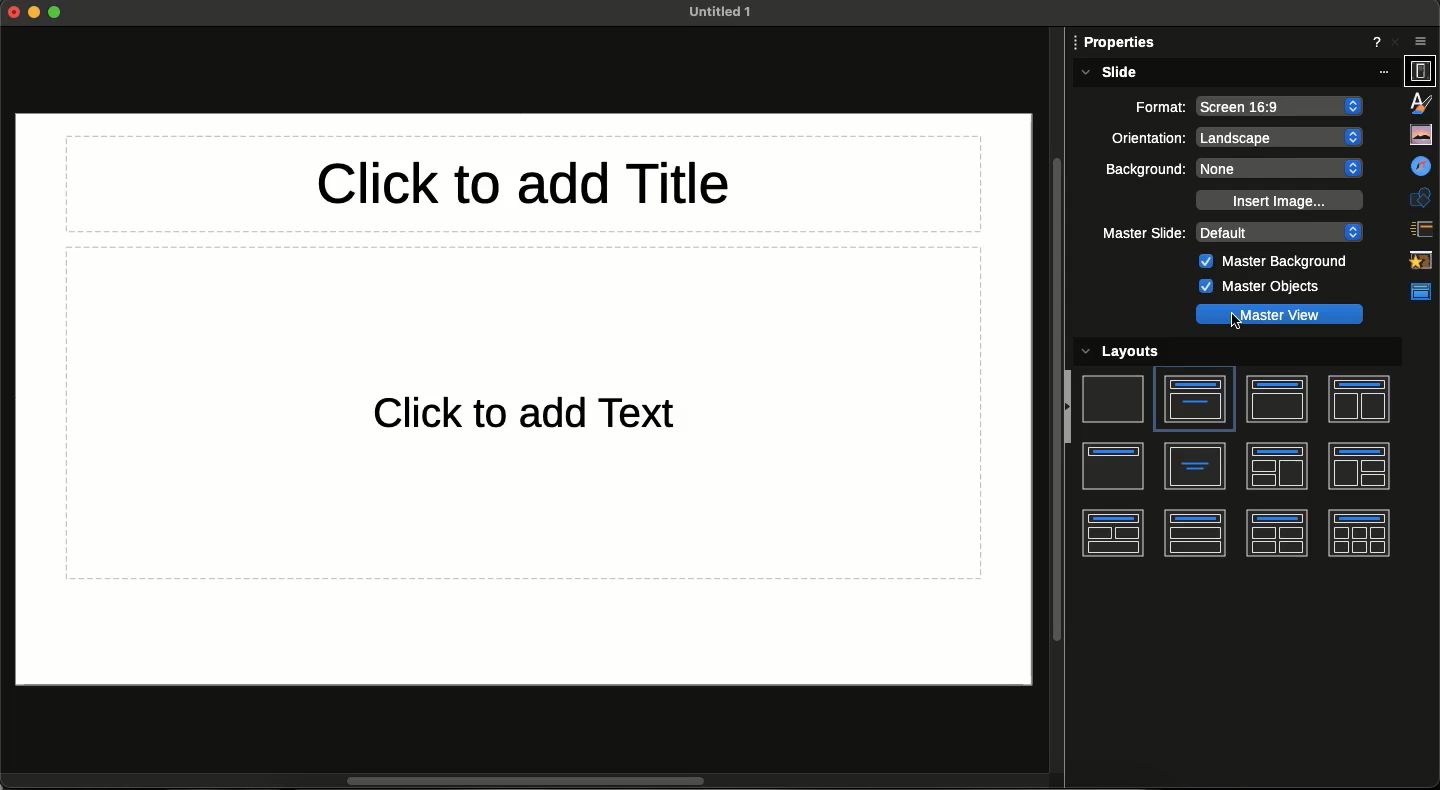 The height and width of the screenshot is (790, 1440). Describe the element at coordinates (1276, 399) in the screenshot. I see `Title and text box` at that location.